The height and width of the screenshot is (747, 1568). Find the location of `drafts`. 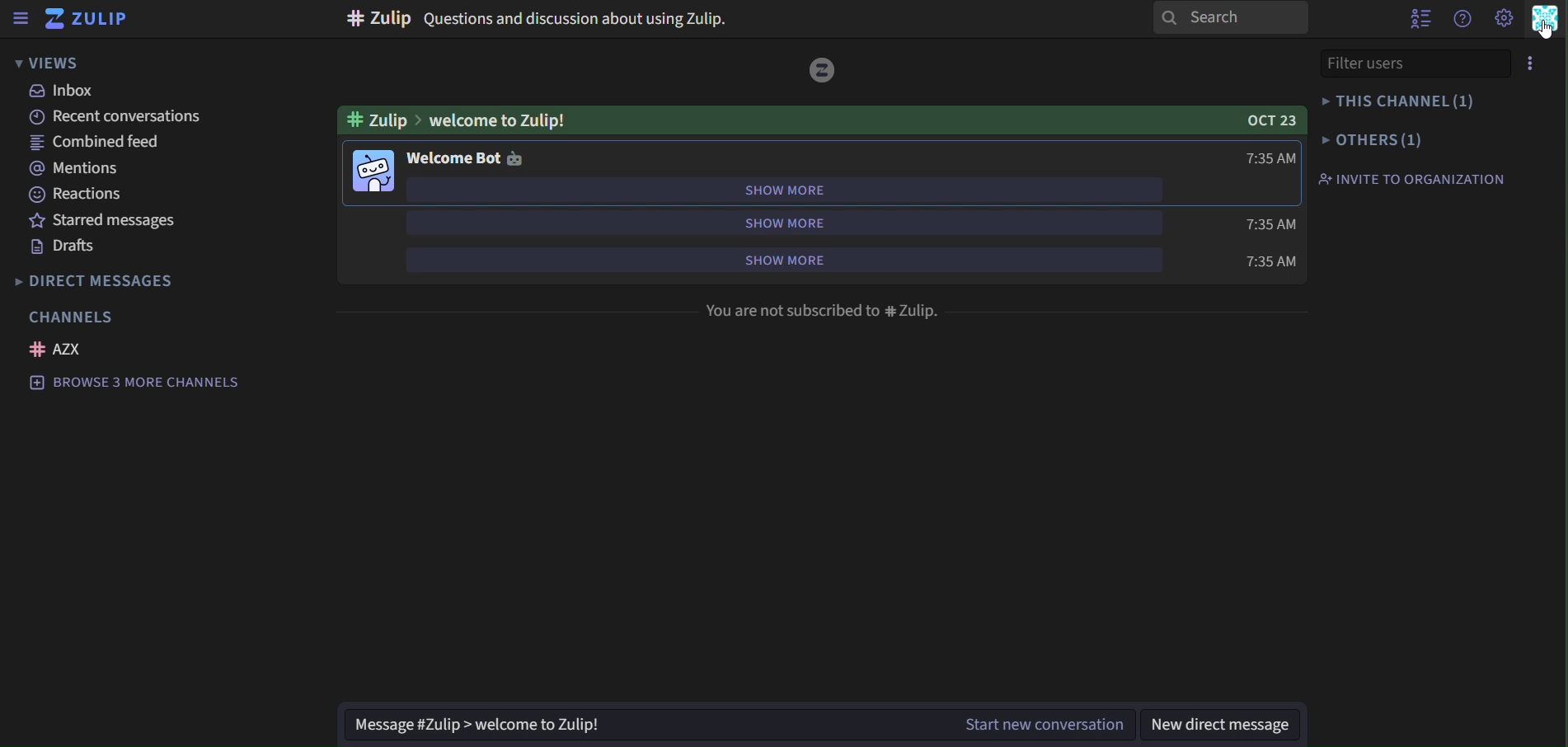

drafts is located at coordinates (63, 247).